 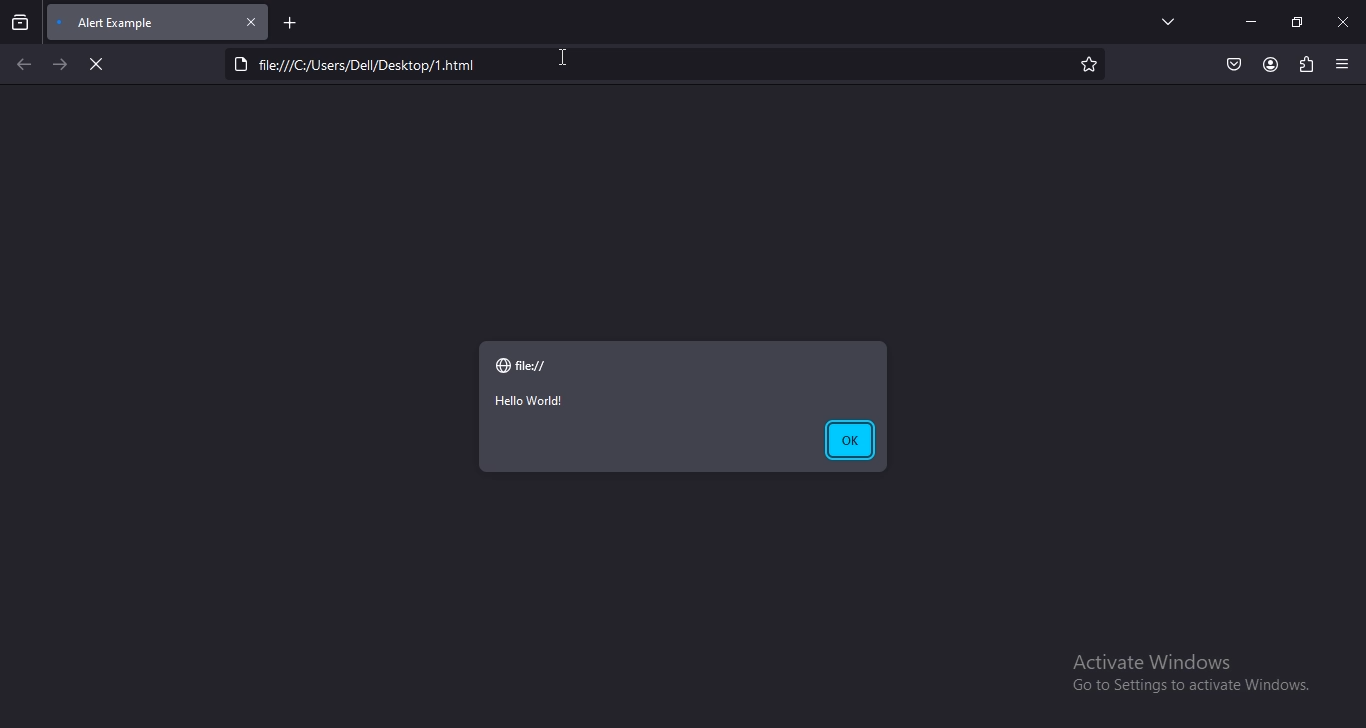 What do you see at coordinates (1151, 661) in the screenshot?
I see `Activate Windows` at bounding box center [1151, 661].